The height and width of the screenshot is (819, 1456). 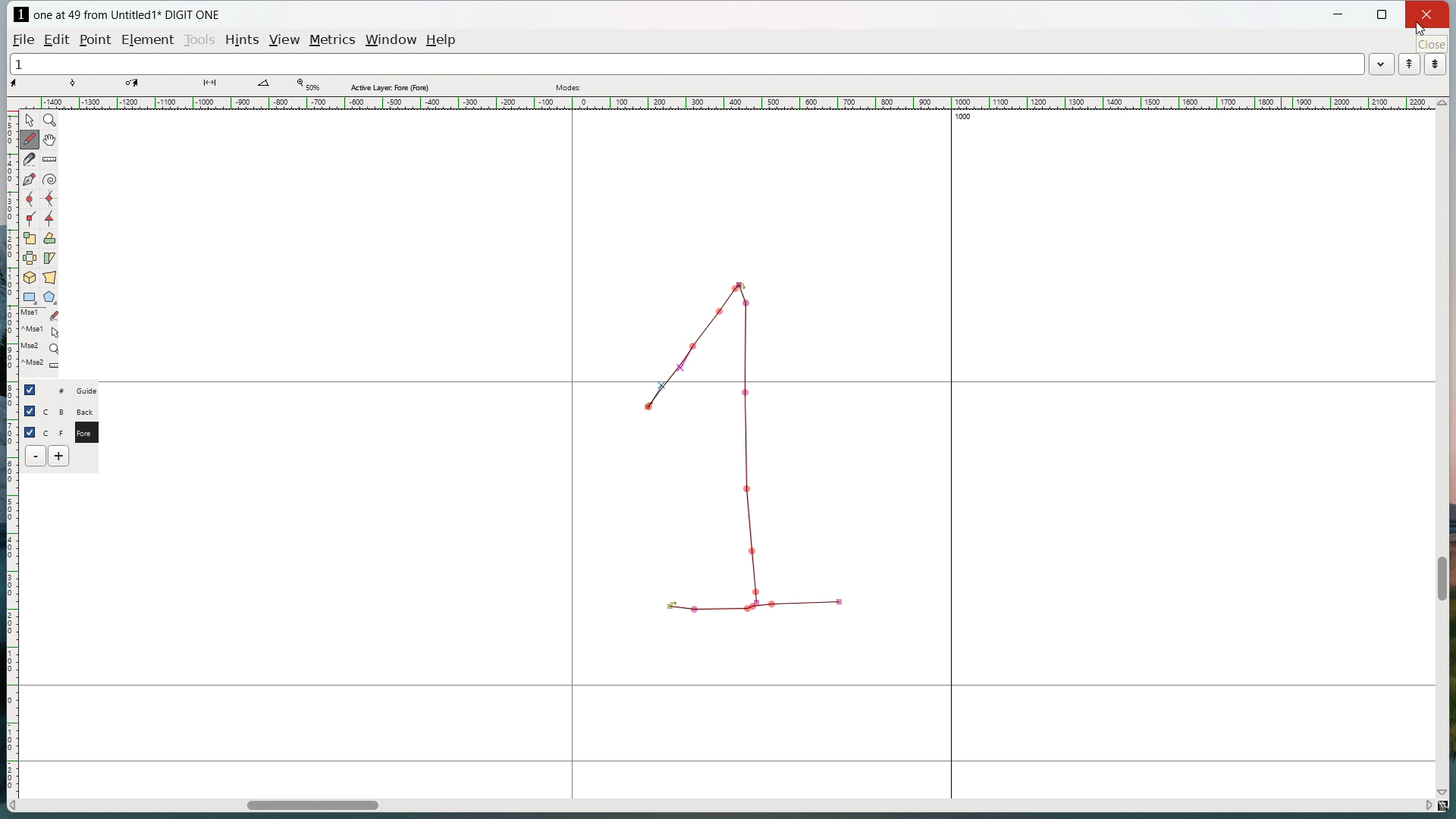 What do you see at coordinates (11, 446) in the screenshot?
I see `vertical ruler` at bounding box center [11, 446].